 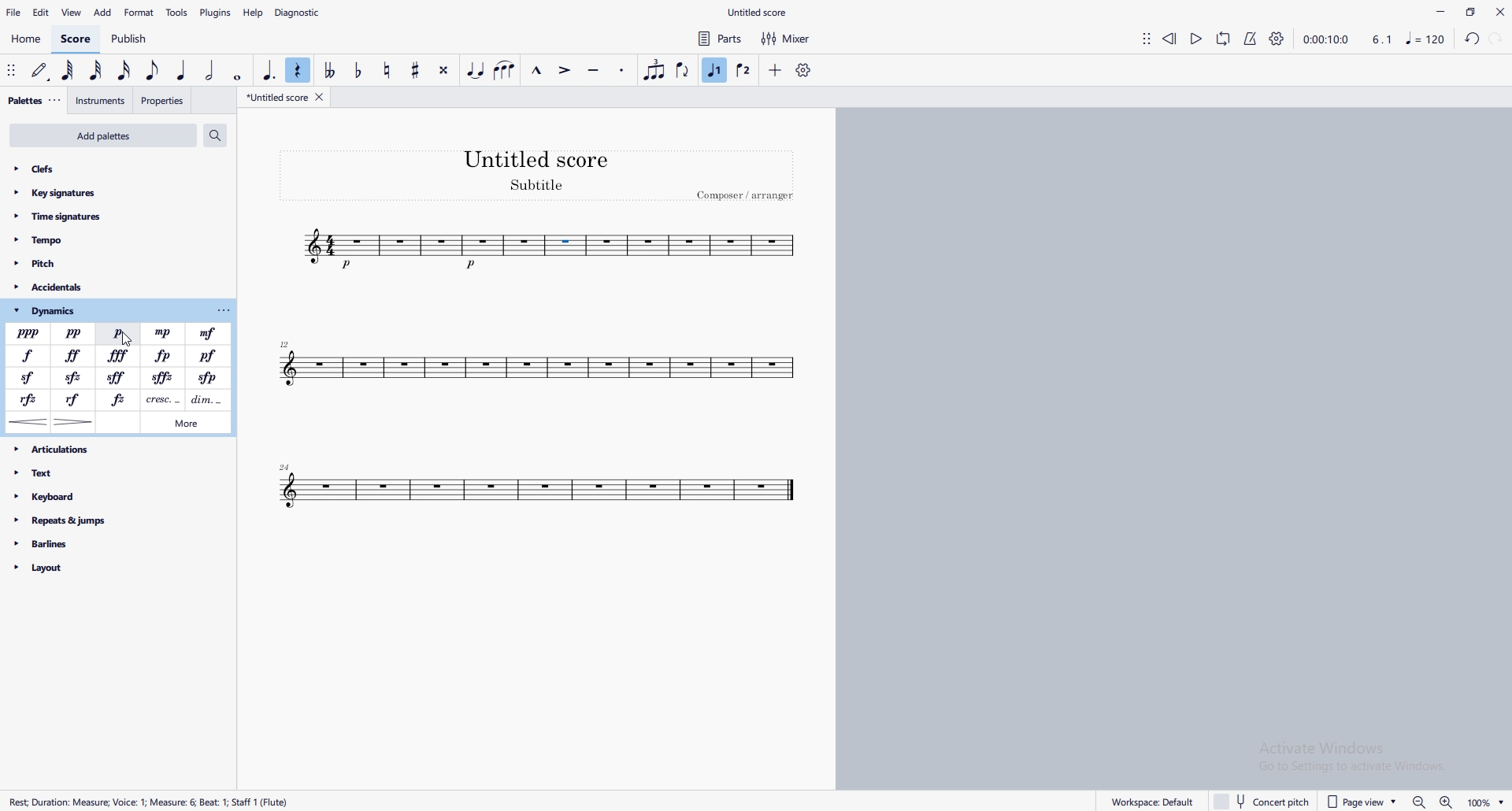 What do you see at coordinates (121, 309) in the screenshot?
I see `dynamics` at bounding box center [121, 309].